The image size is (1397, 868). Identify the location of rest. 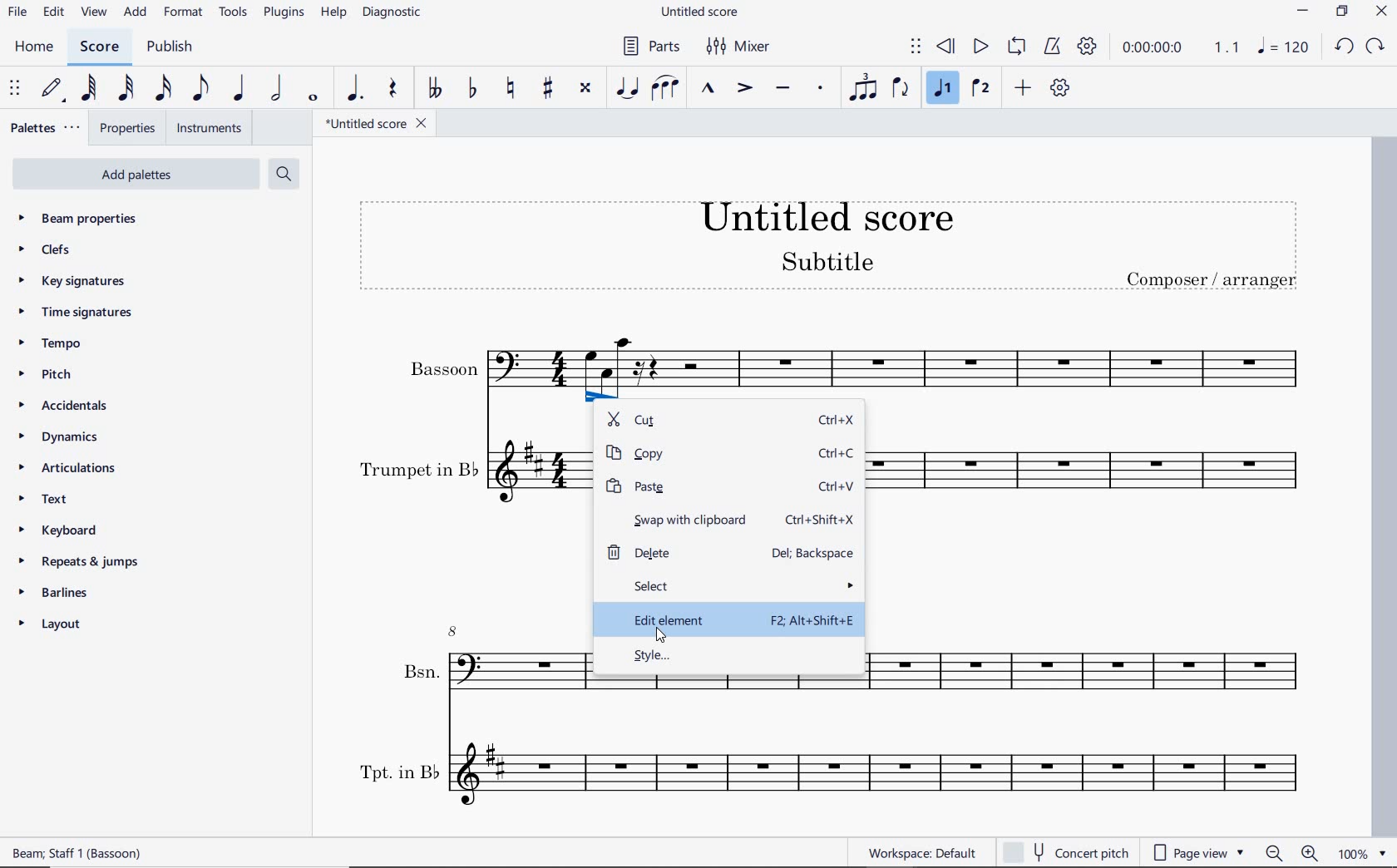
(395, 89).